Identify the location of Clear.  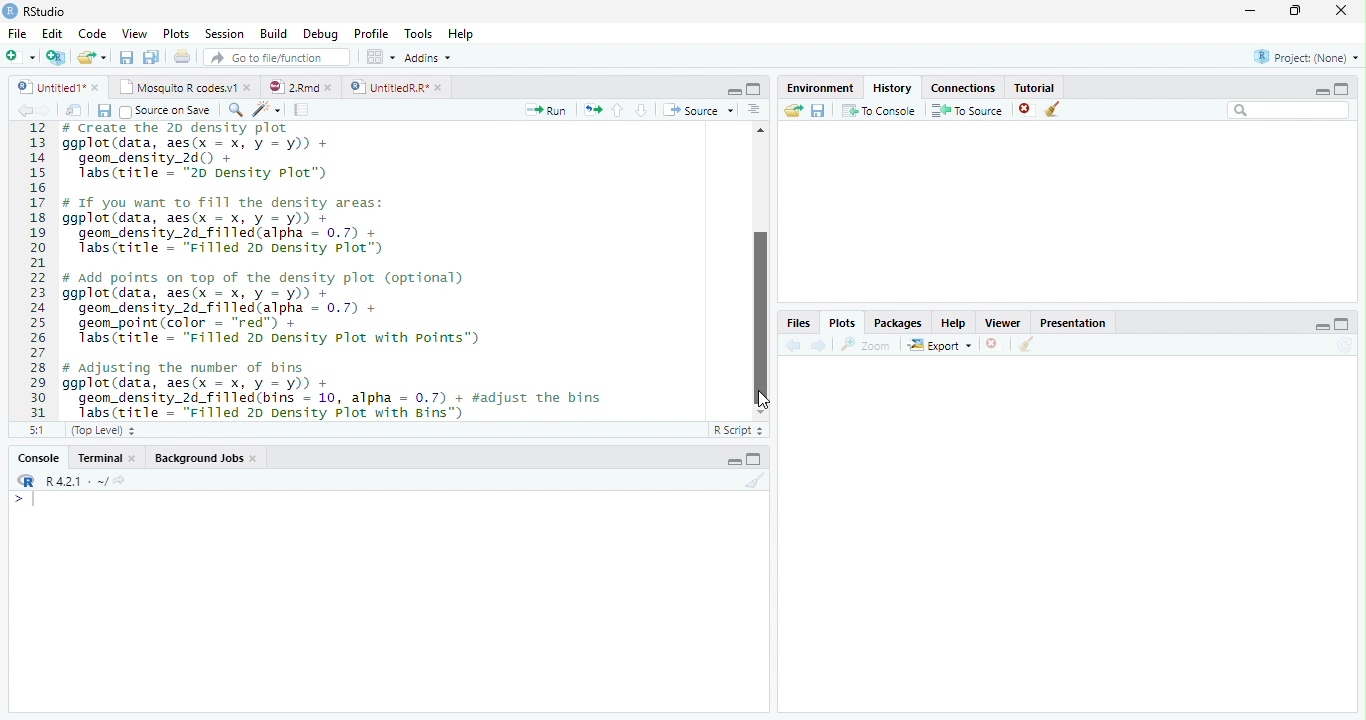
(756, 480).